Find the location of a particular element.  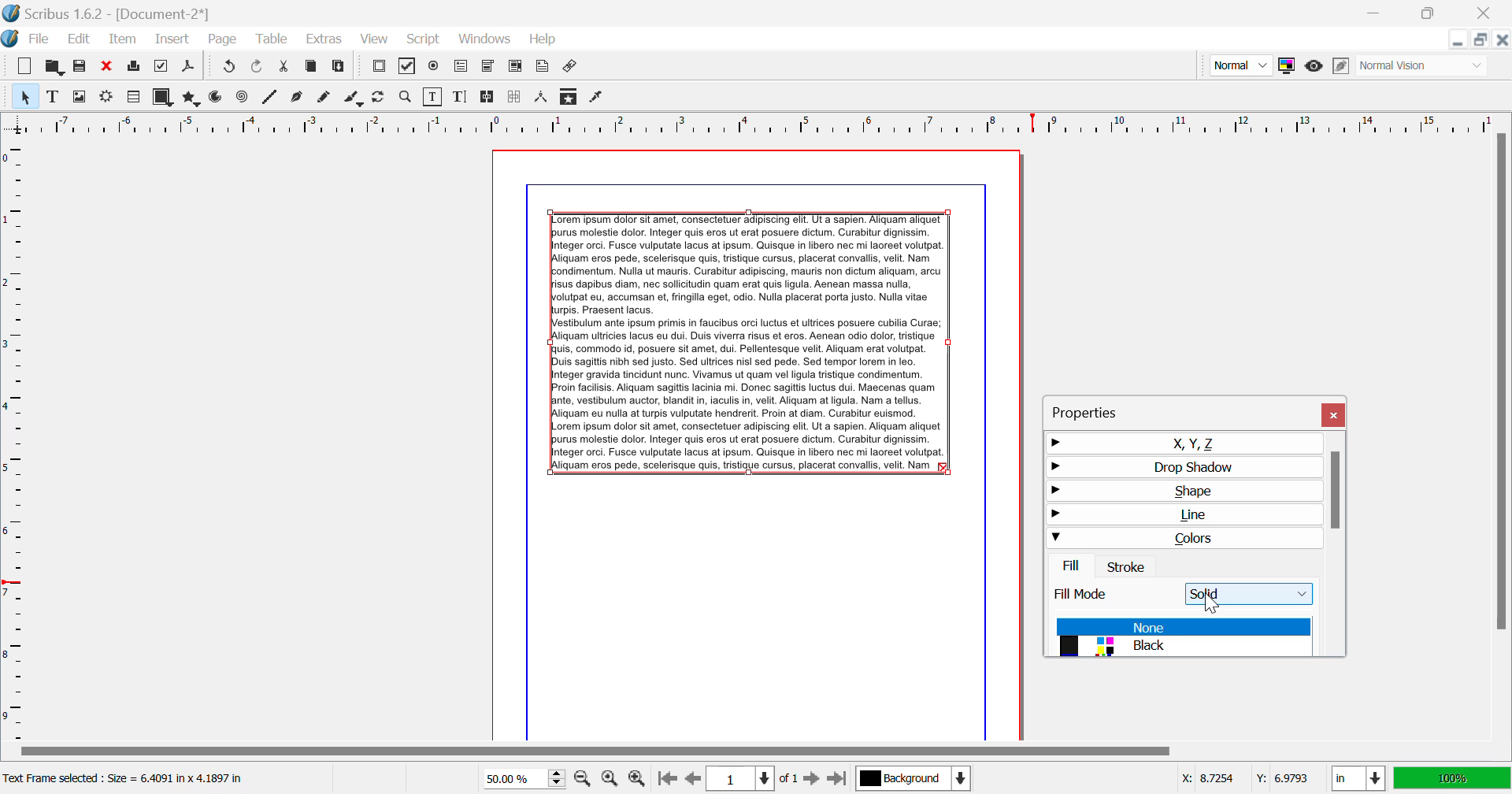

Edit Contents of Frame is located at coordinates (434, 97).